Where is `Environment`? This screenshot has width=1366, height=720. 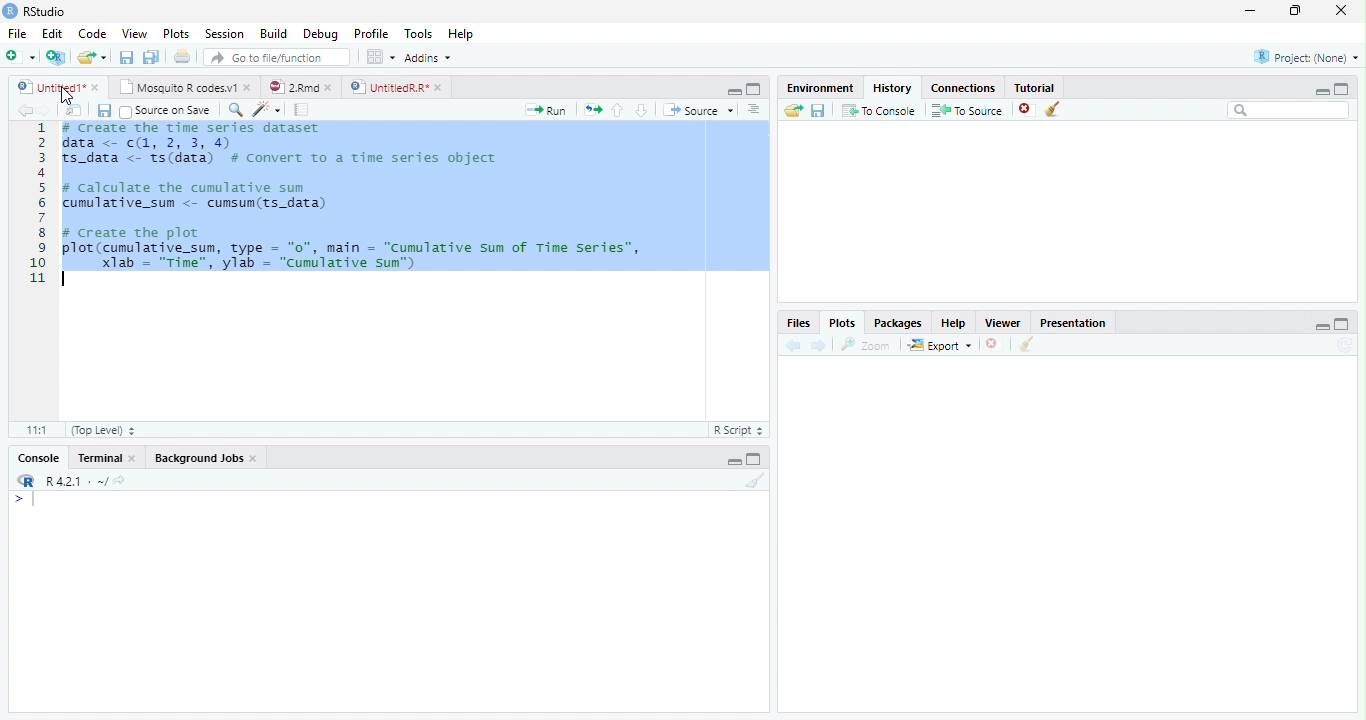
Environment is located at coordinates (820, 87).